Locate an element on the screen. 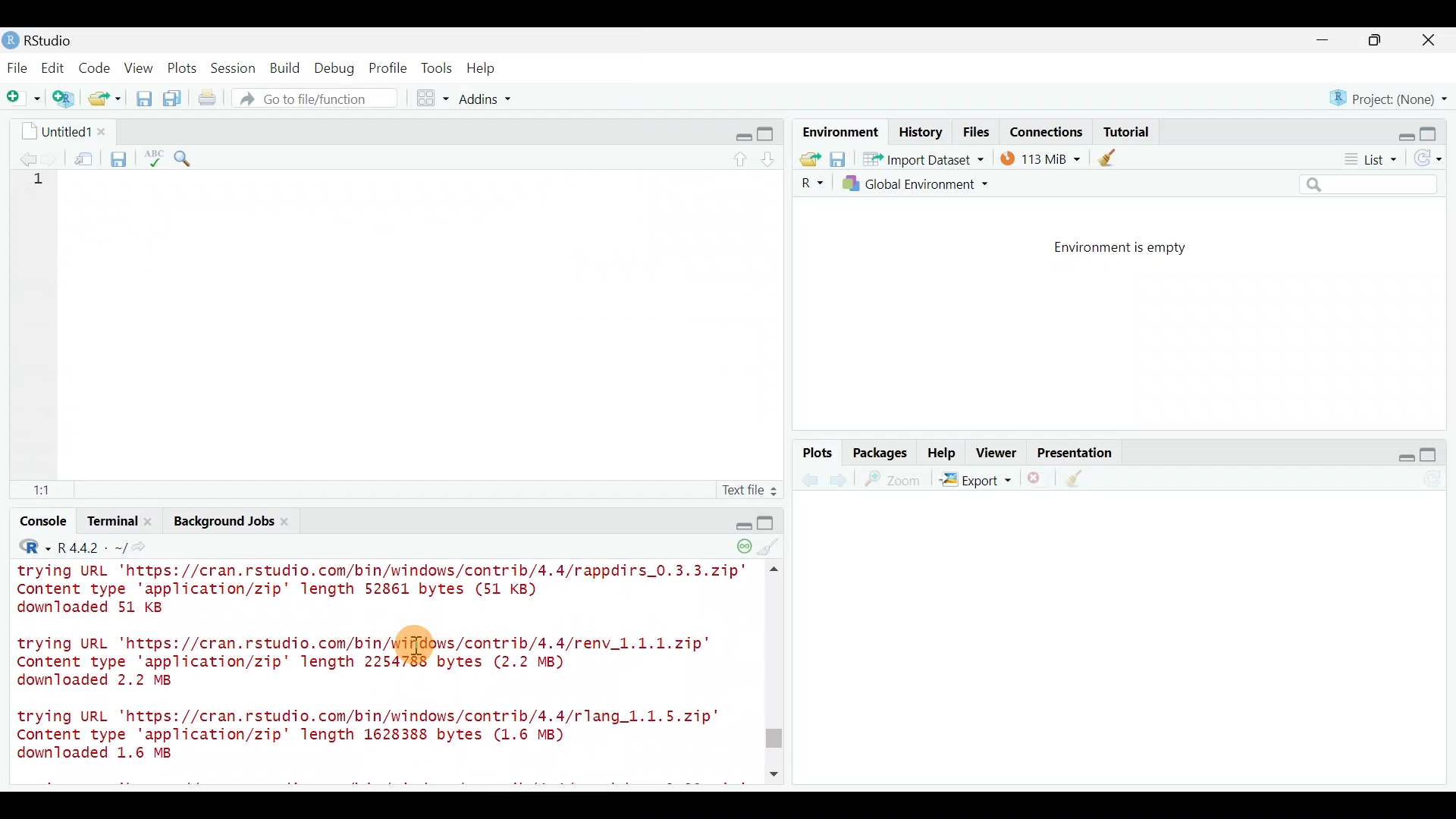 The image size is (1456, 819). Code is located at coordinates (96, 67).